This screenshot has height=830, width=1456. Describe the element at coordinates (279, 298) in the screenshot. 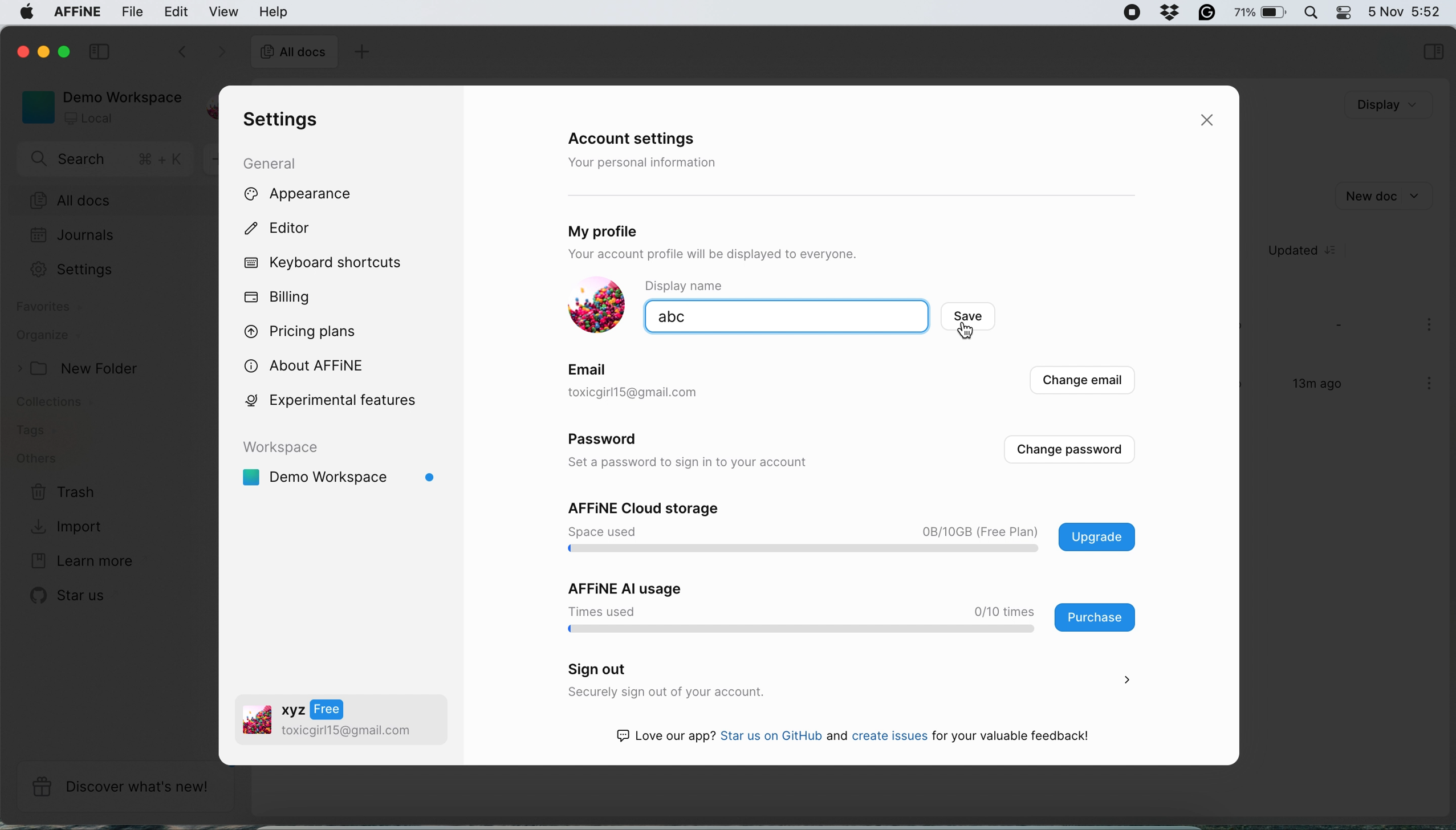

I see `billing` at that location.